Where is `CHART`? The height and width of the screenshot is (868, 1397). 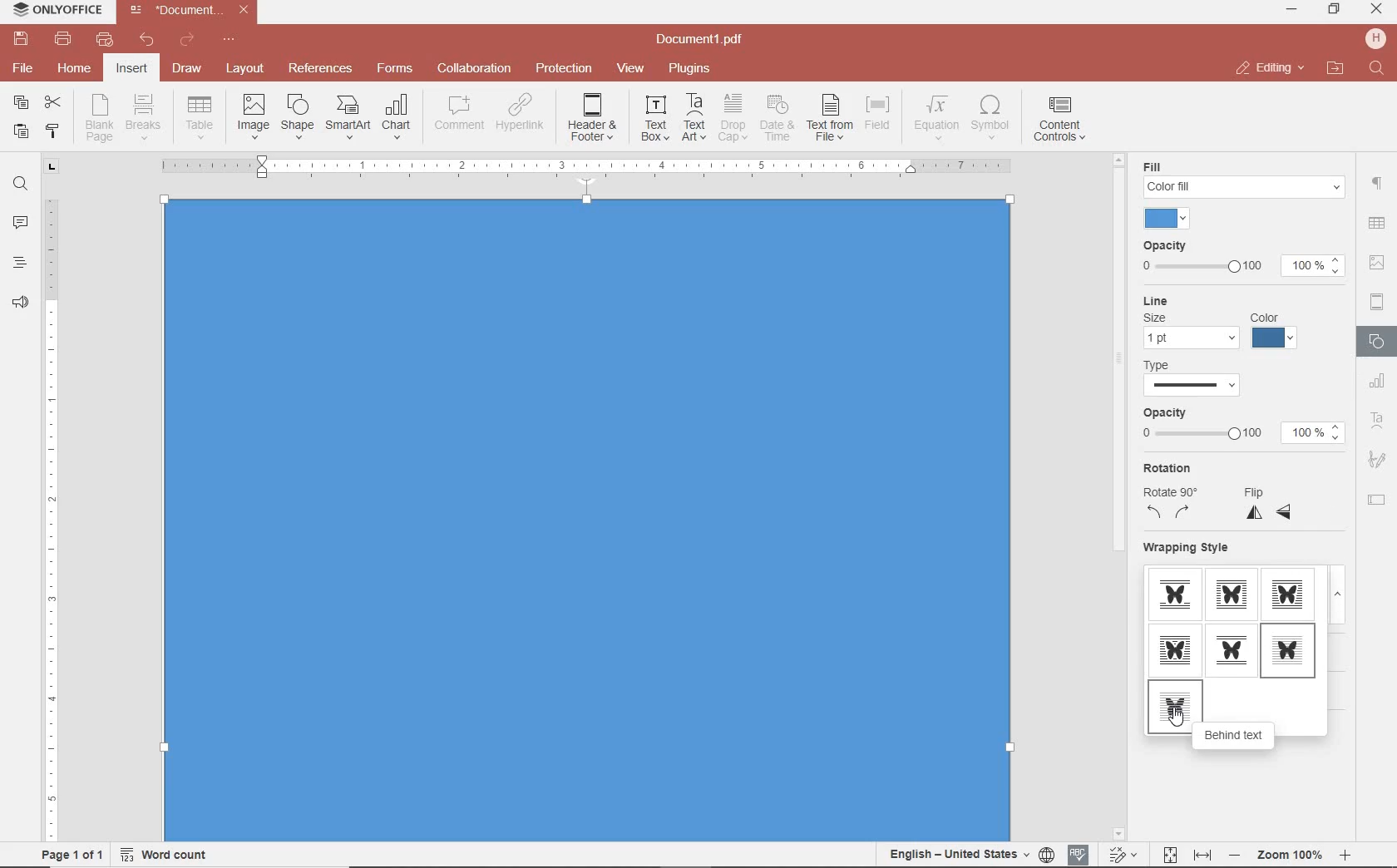
CHART is located at coordinates (1378, 382).